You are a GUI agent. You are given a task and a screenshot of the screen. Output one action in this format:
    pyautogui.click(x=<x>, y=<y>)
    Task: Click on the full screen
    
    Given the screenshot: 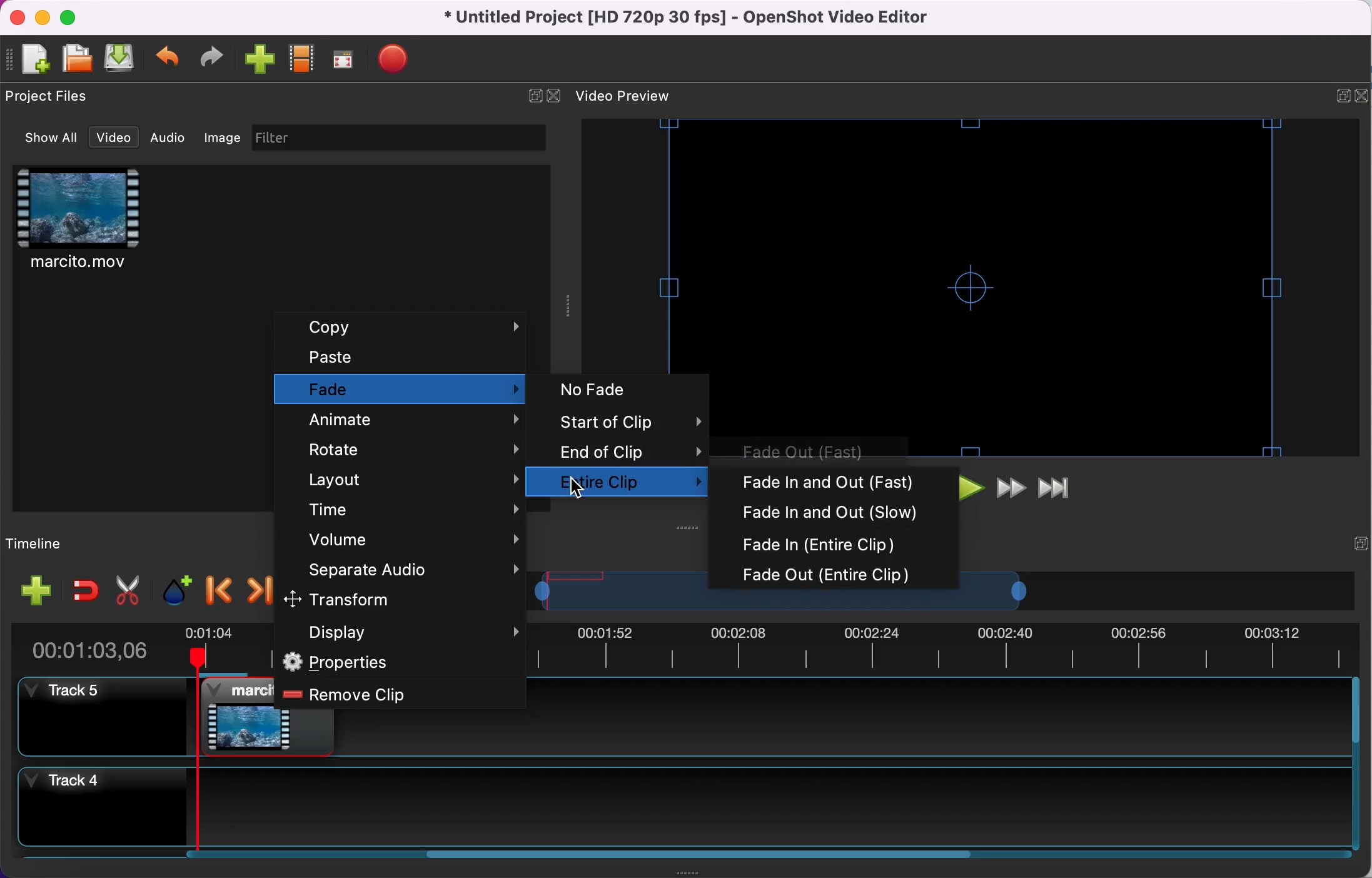 What is the action you would take?
    pyautogui.click(x=344, y=59)
    